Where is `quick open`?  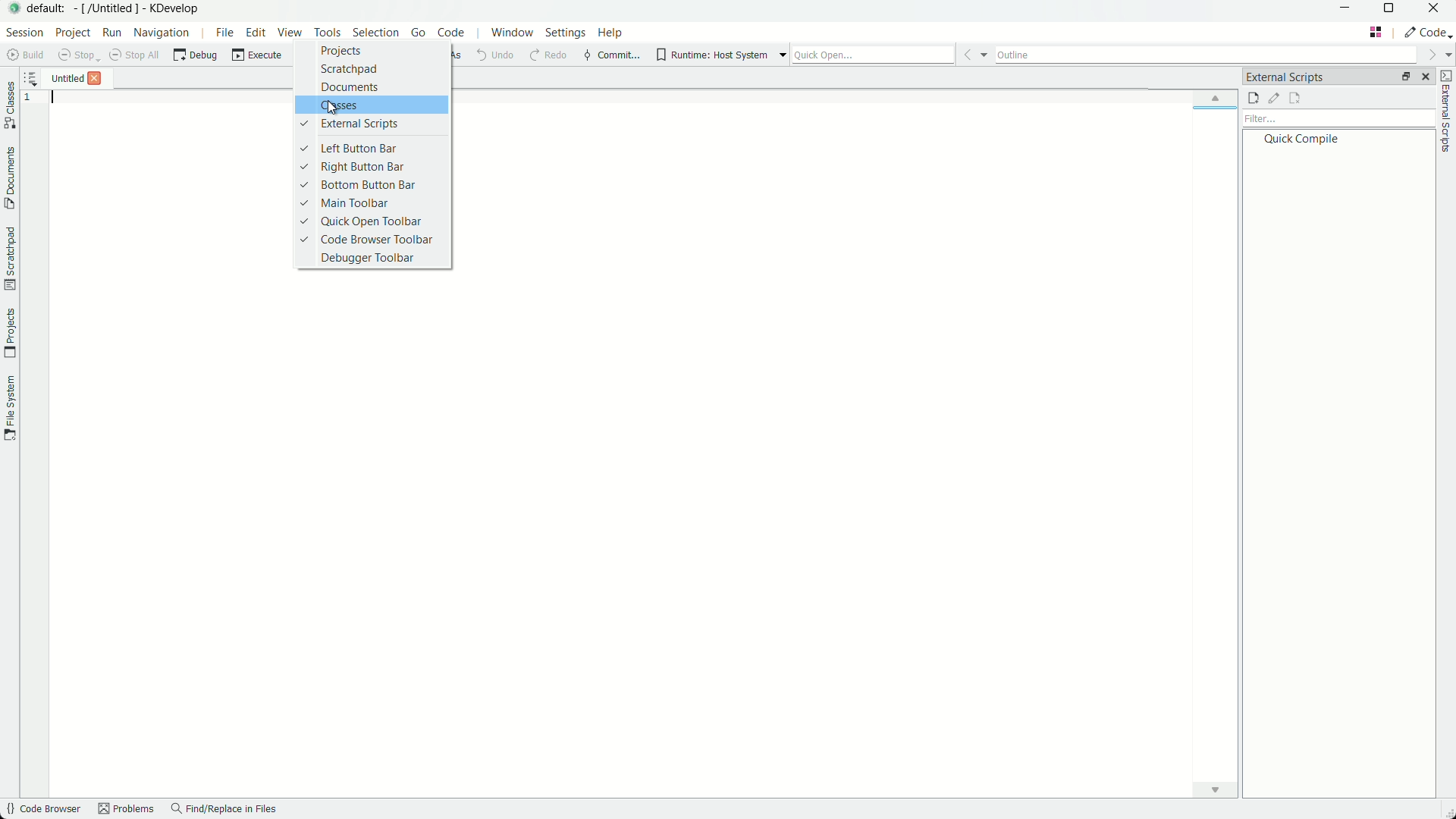
quick open is located at coordinates (890, 55).